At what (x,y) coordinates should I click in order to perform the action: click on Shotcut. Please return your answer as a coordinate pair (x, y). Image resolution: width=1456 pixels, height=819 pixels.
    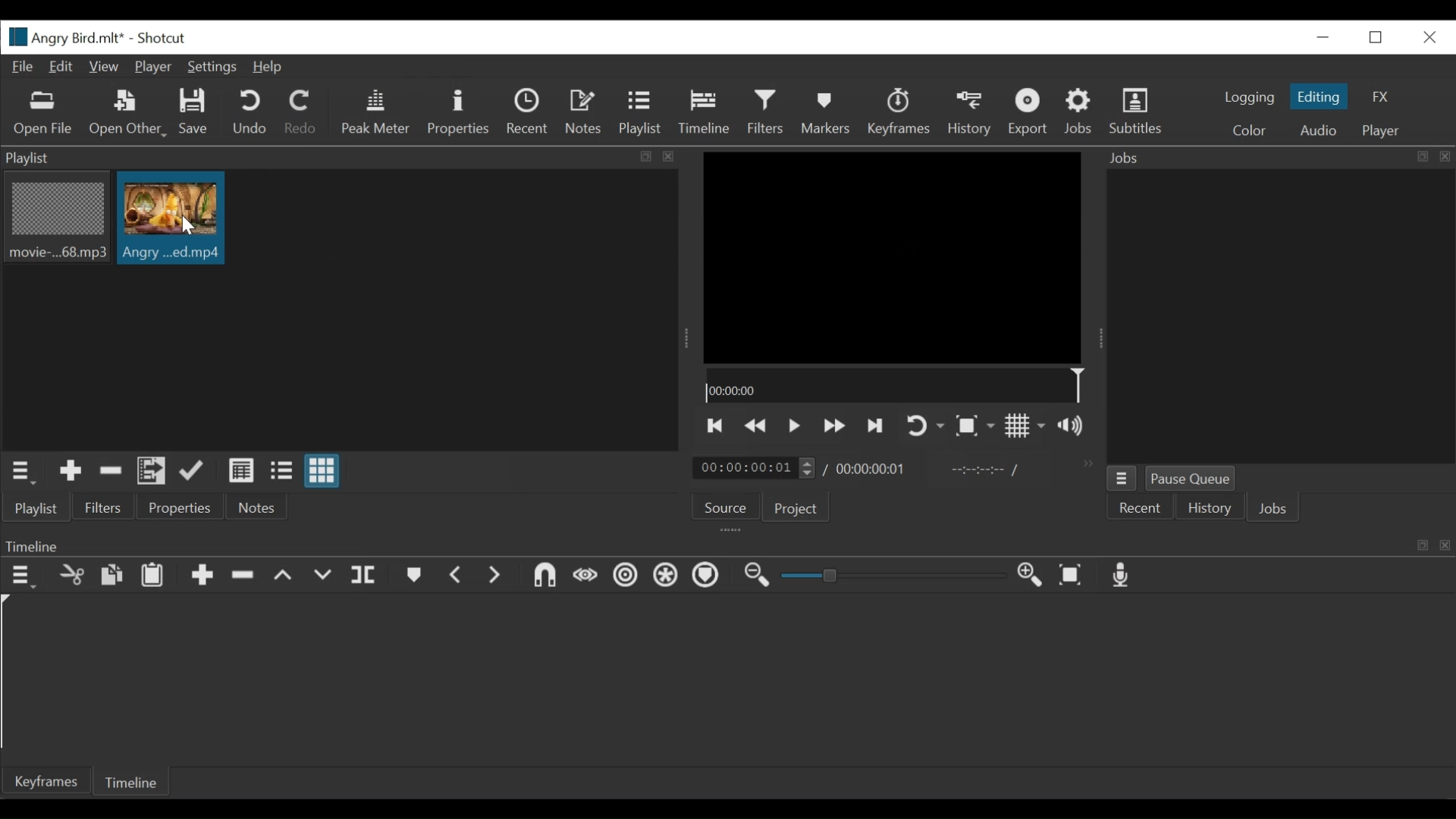
    Looking at the image, I should click on (166, 37).